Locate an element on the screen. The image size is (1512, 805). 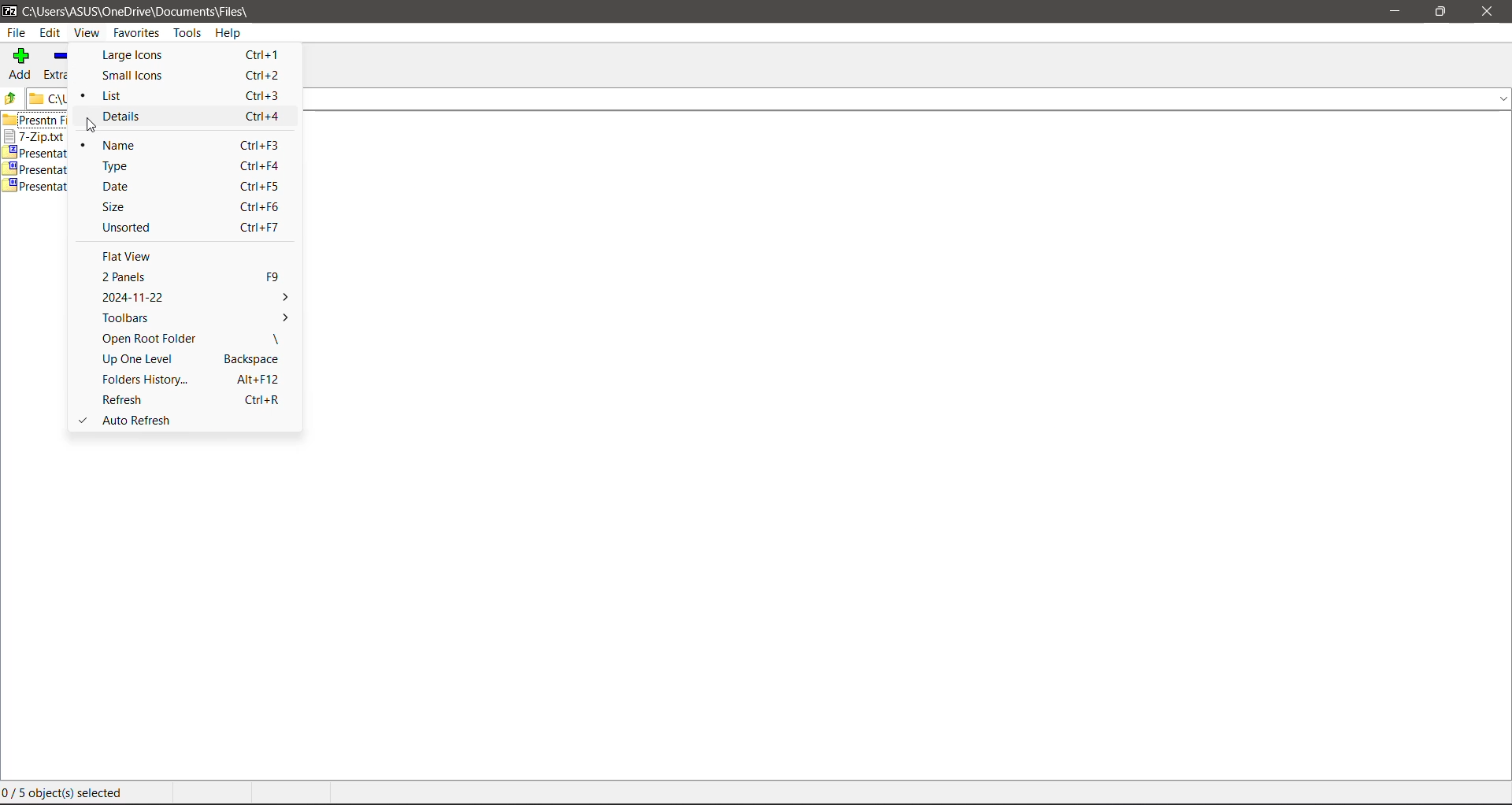
Refresh is located at coordinates (190, 400).